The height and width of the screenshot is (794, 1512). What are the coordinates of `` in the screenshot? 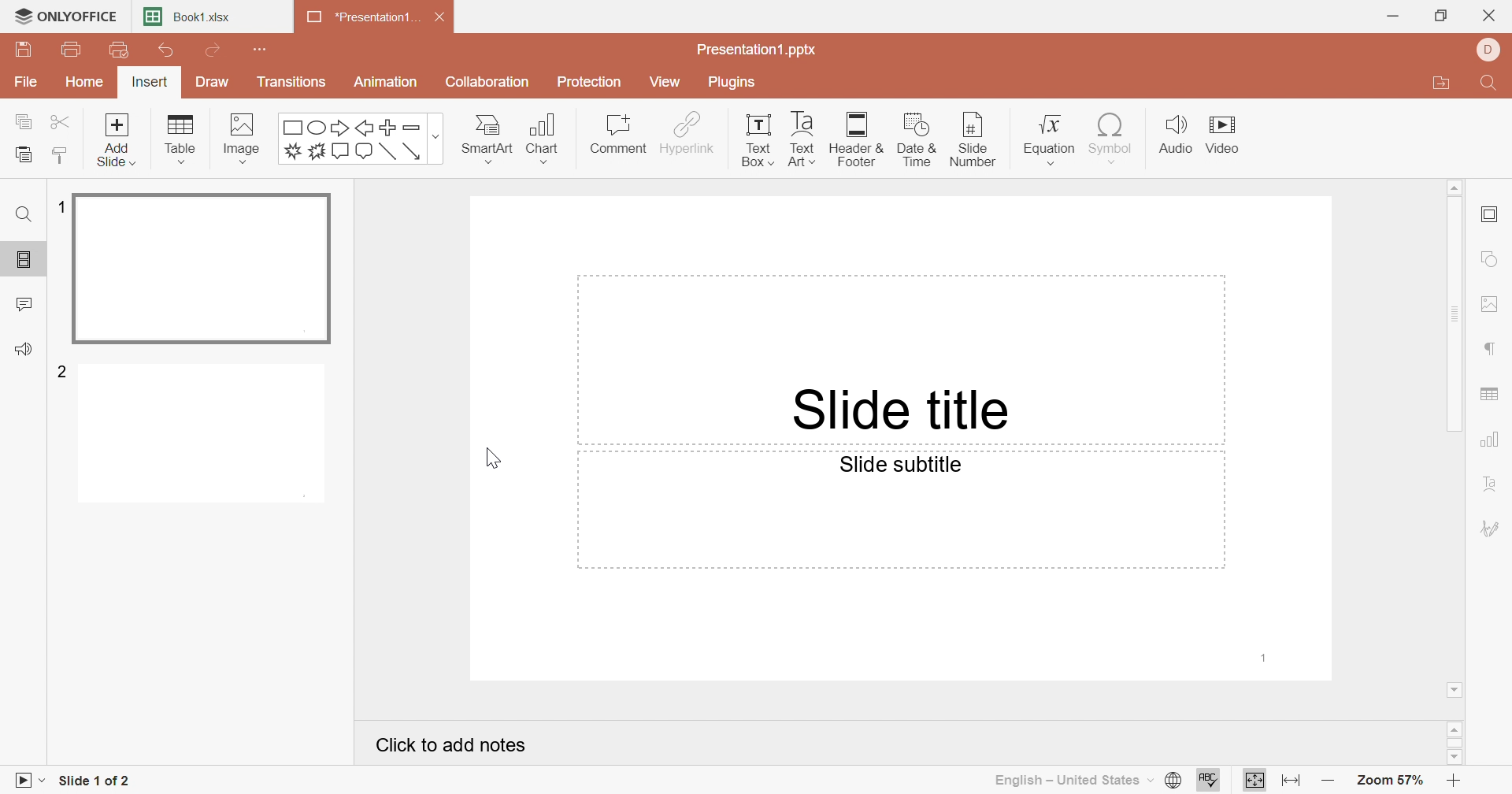 It's located at (916, 137).